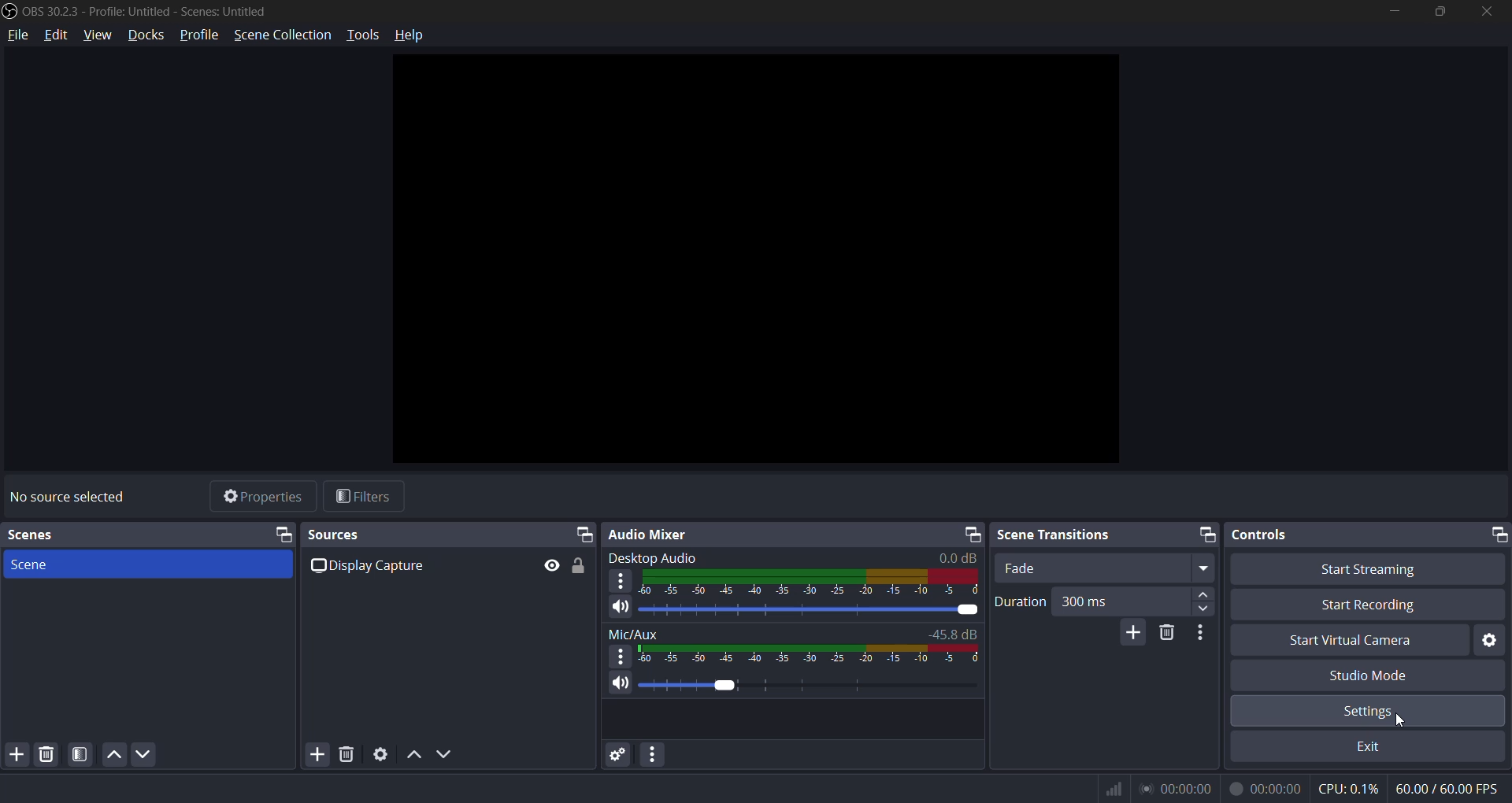  What do you see at coordinates (132, 535) in the screenshot?
I see `scene` at bounding box center [132, 535].